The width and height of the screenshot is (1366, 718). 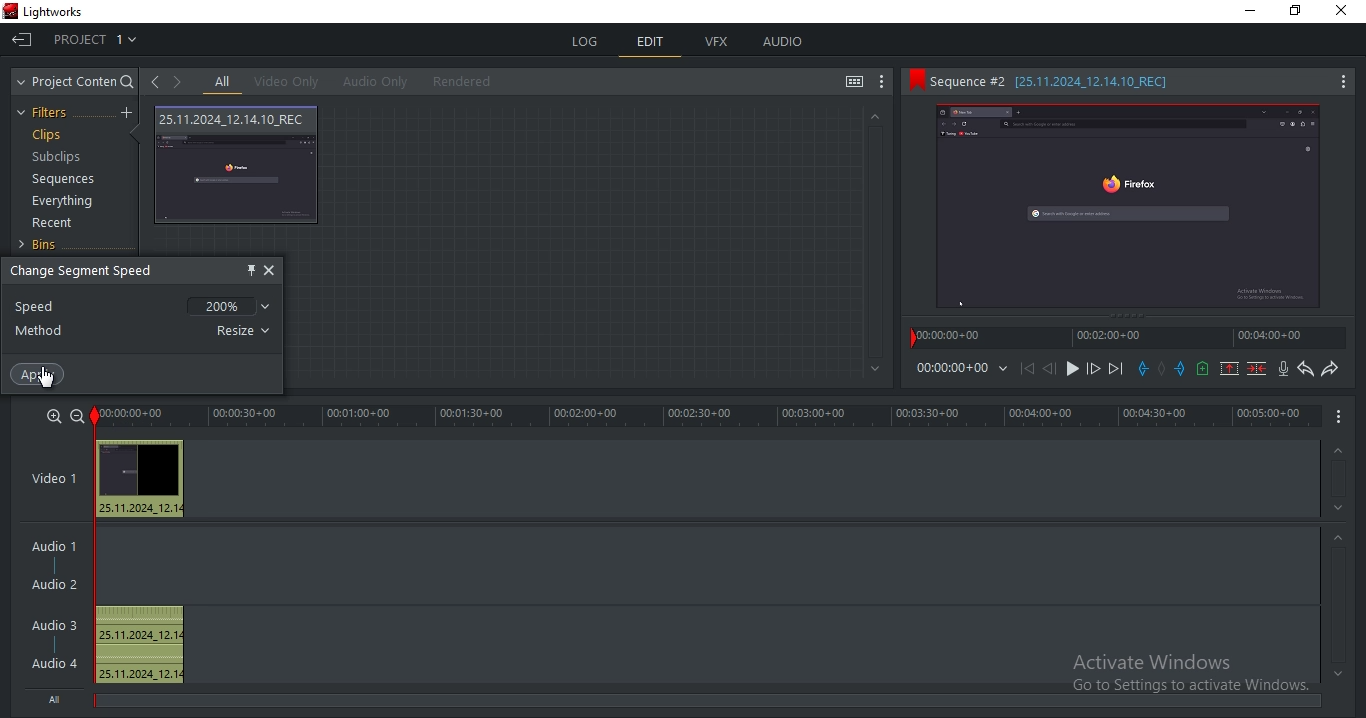 I want to click on app title, so click(x=47, y=13).